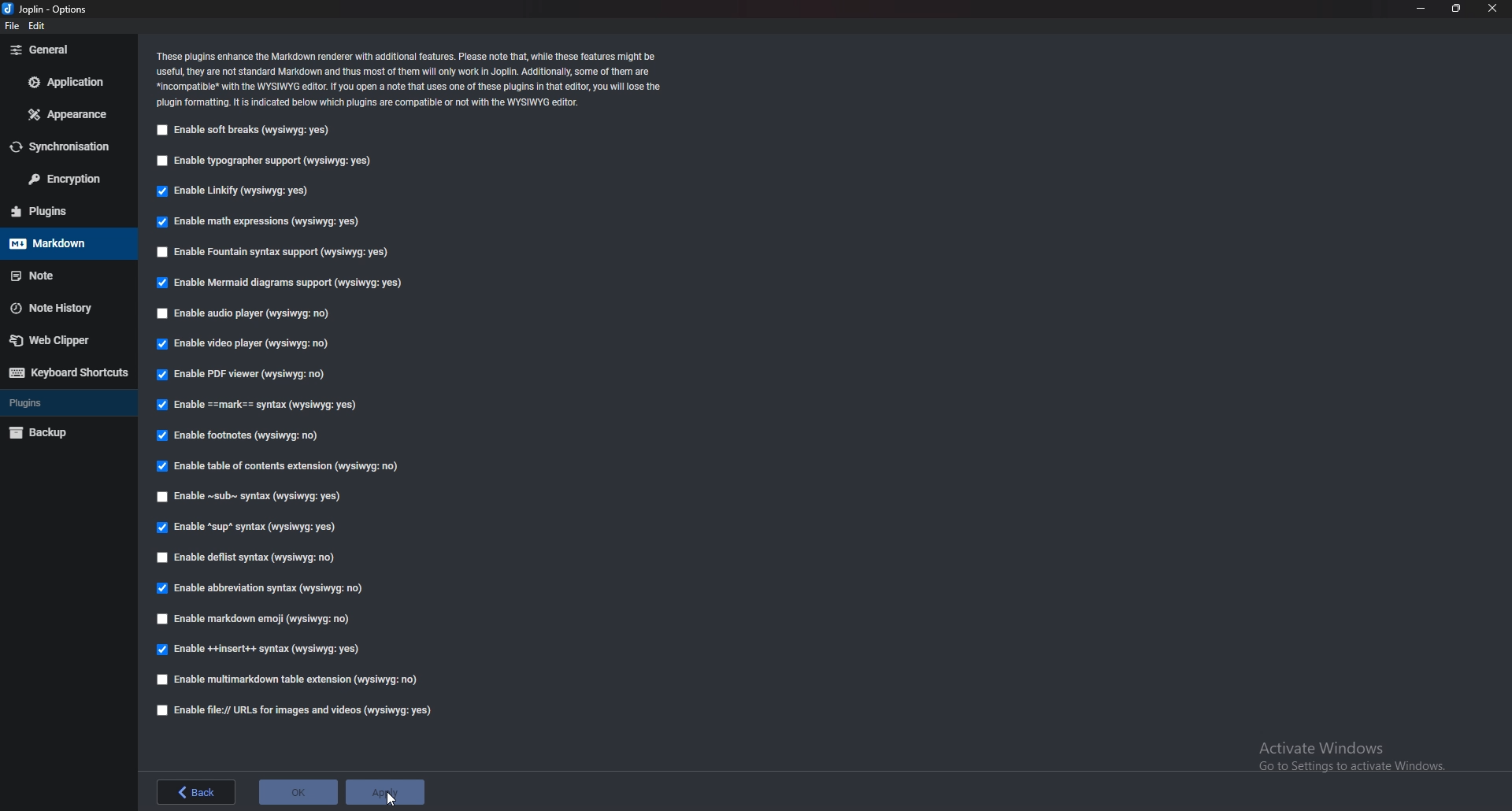 The width and height of the screenshot is (1512, 811). I want to click on apply, so click(384, 792).